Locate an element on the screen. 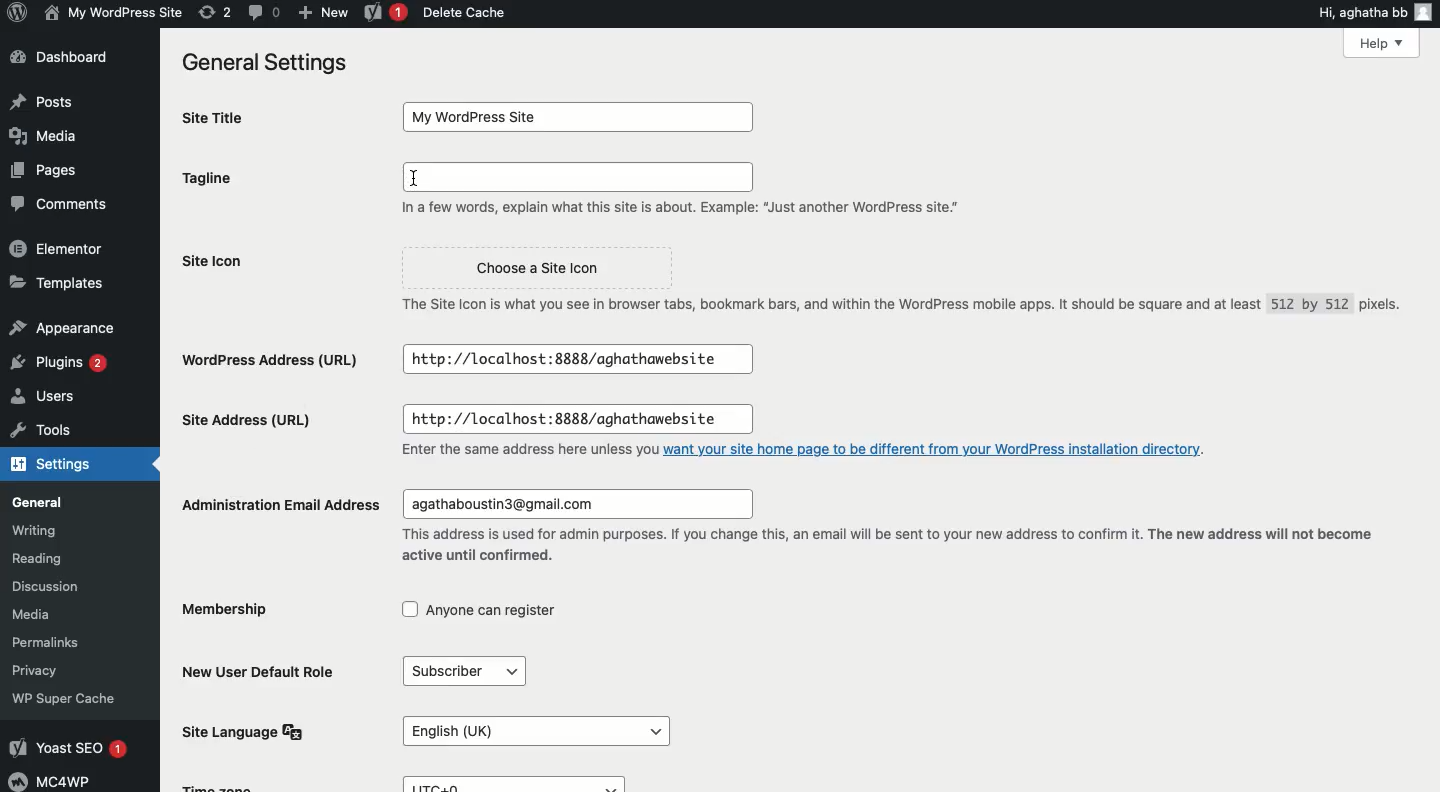 Image resolution: width=1440 pixels, height=792 pixels. Site language is located at coordinates (241, 731).